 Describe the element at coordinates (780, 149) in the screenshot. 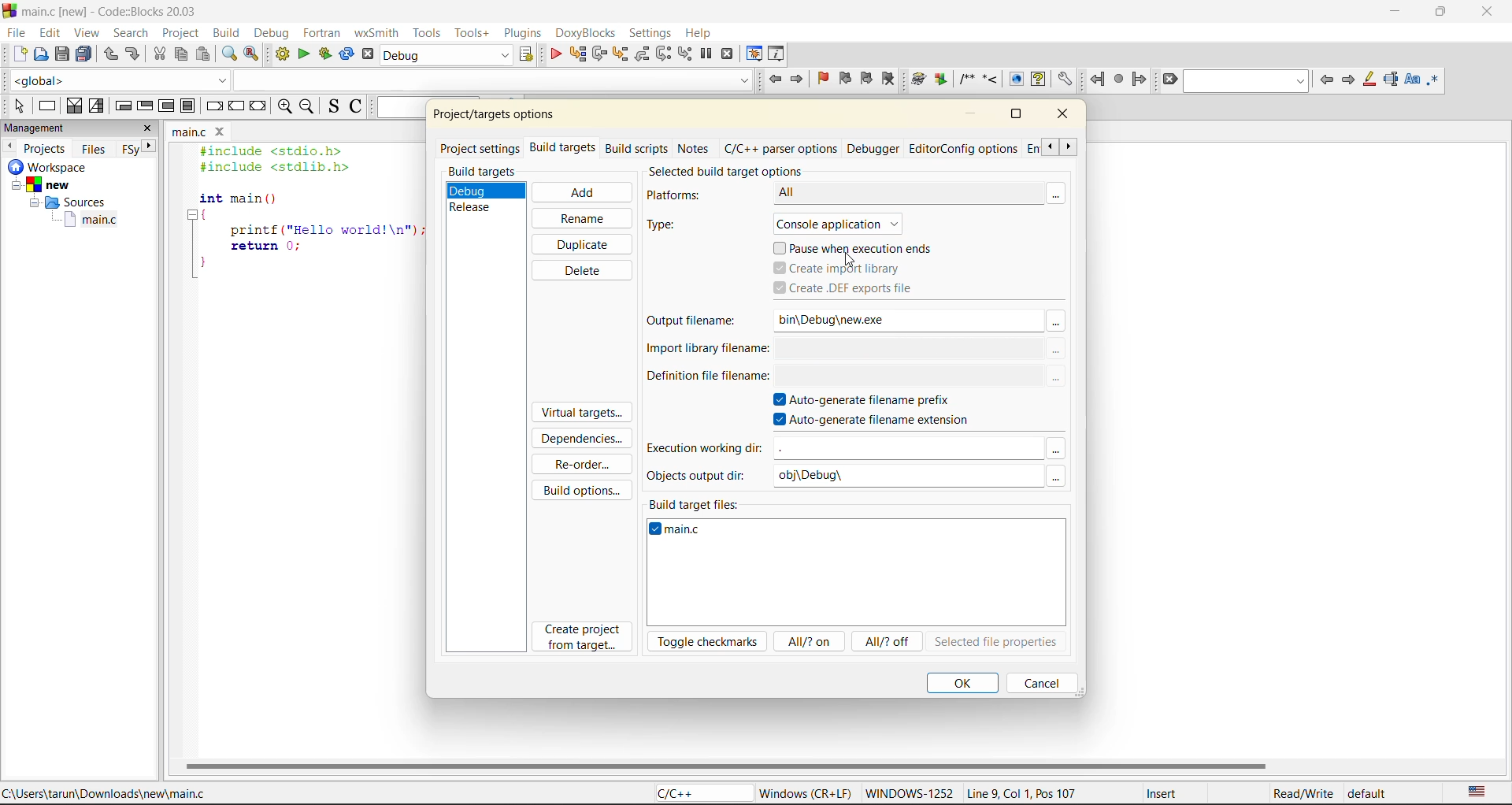

I see `c/c++ parser options` at that location.